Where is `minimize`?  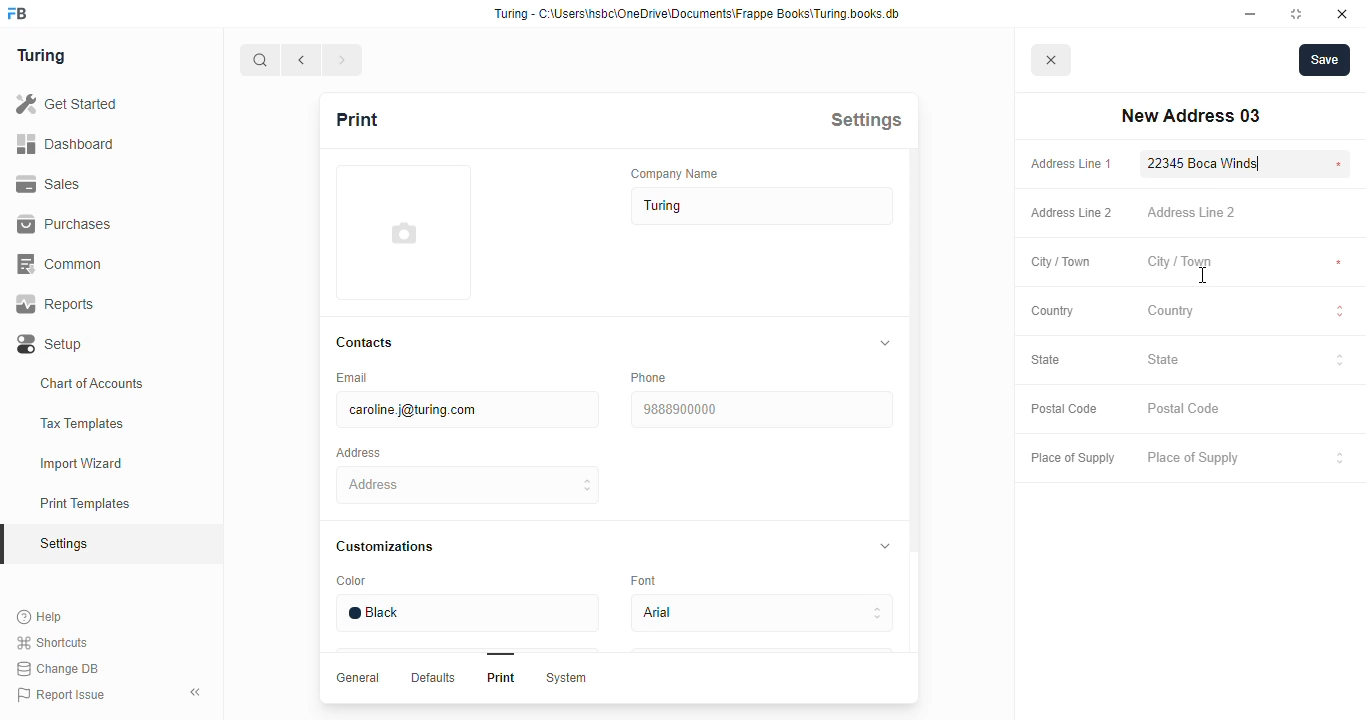 minimize is located at coordinates (1251, 14).